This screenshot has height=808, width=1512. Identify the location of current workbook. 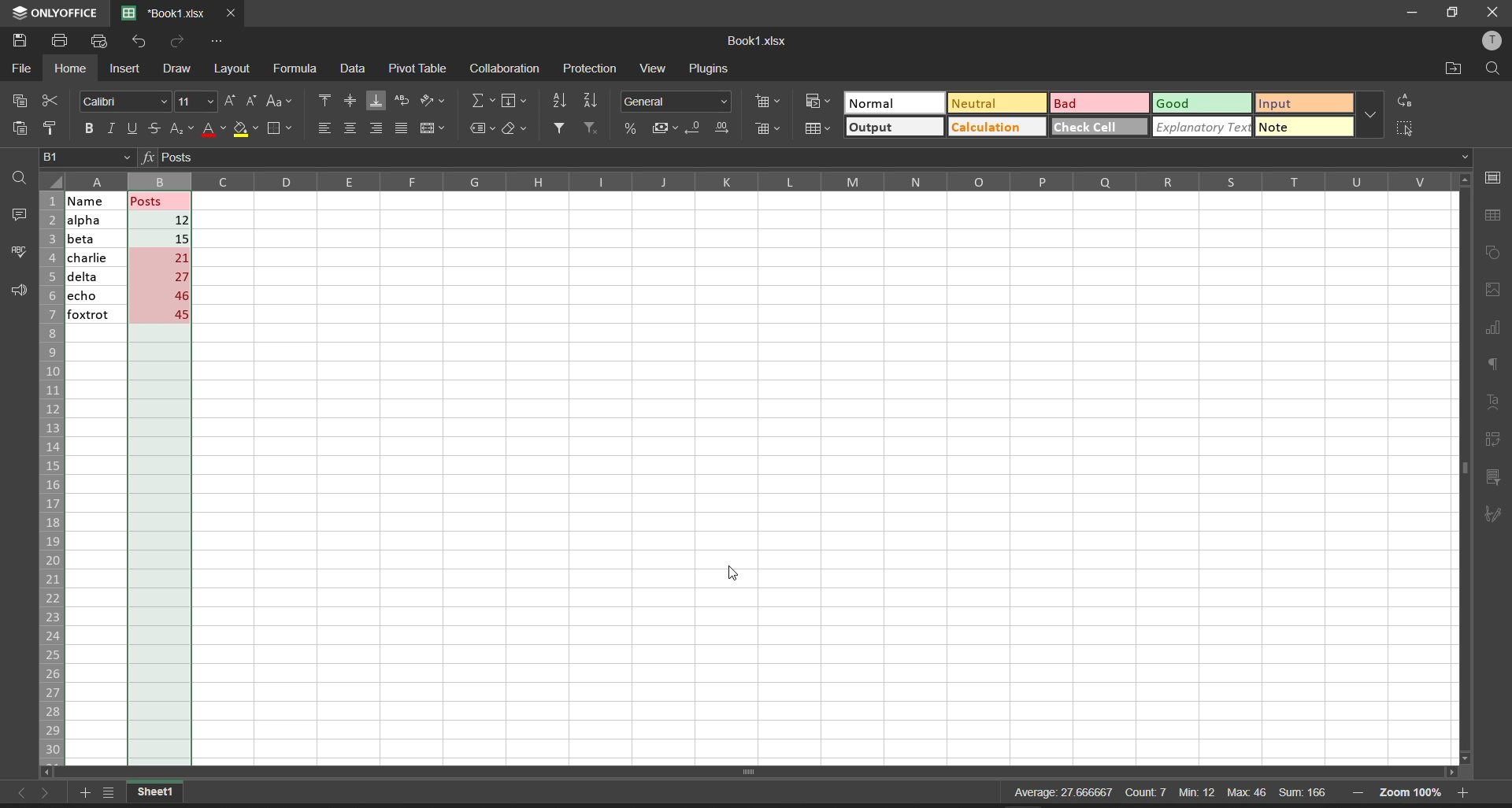
(160, 791).